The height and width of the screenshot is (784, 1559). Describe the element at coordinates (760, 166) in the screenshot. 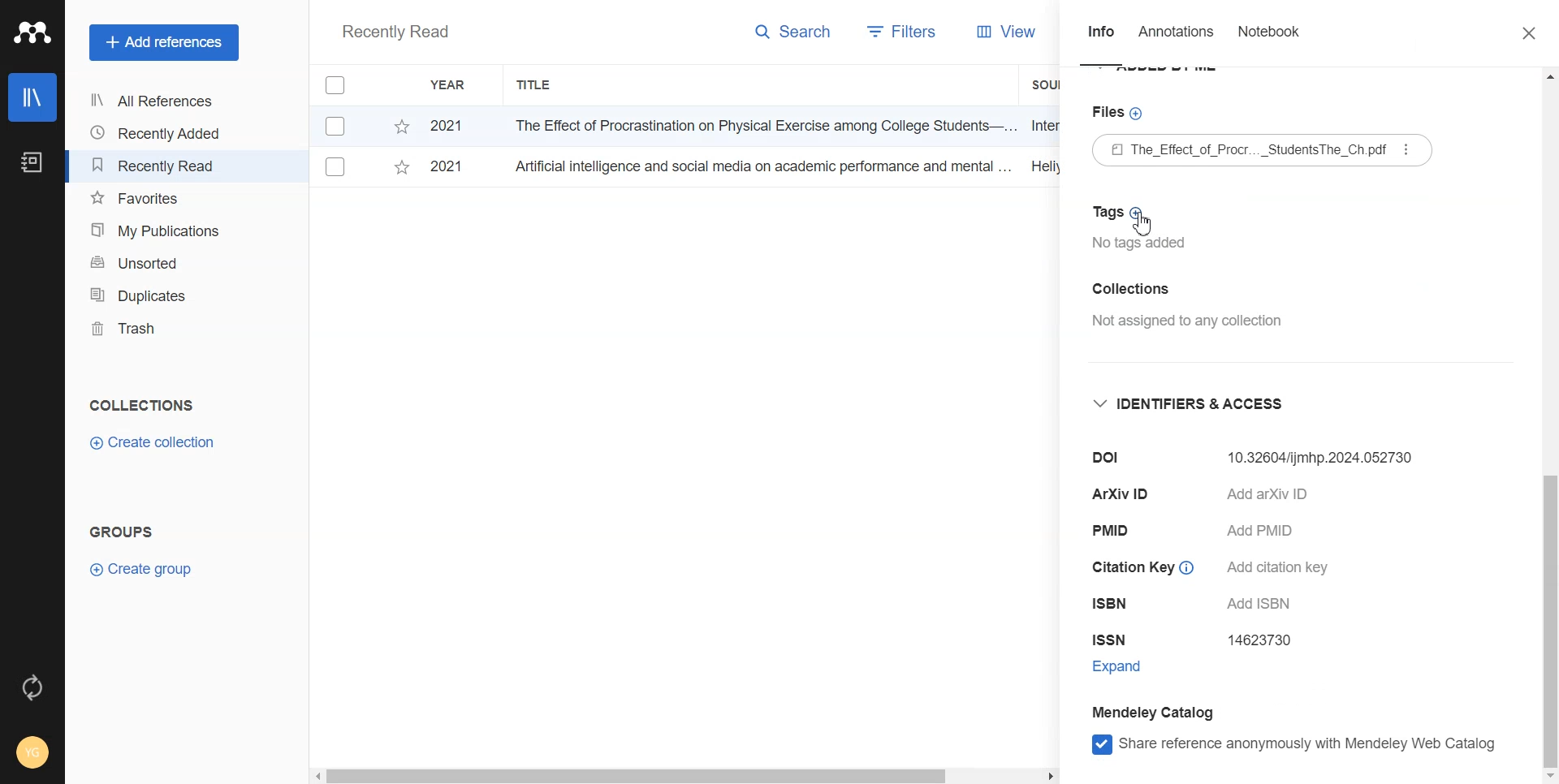

I see `Artificial intelligence and social media on academic performance and mental ...` at that location.